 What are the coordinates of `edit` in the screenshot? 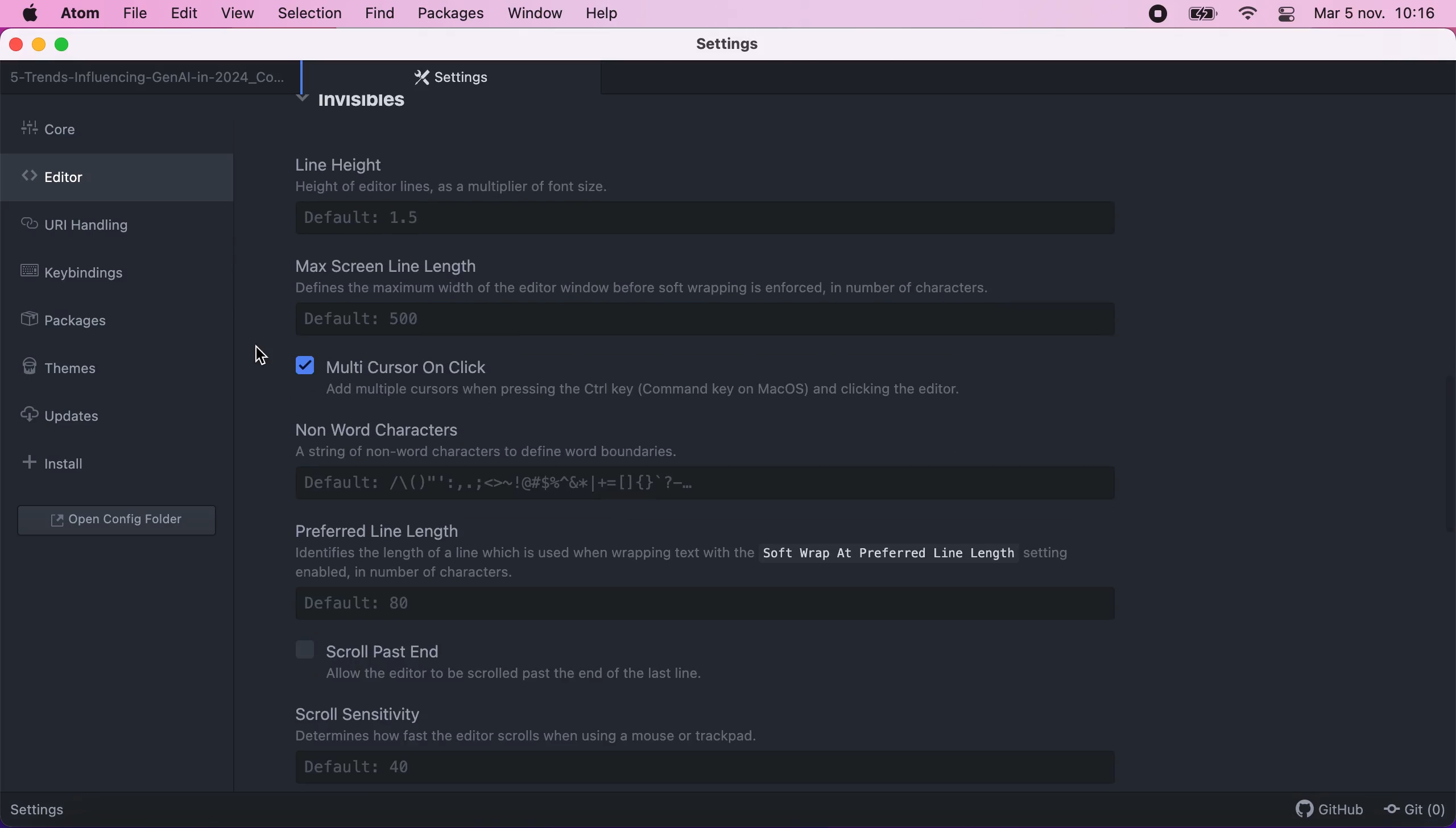 It's located at (183, 14).